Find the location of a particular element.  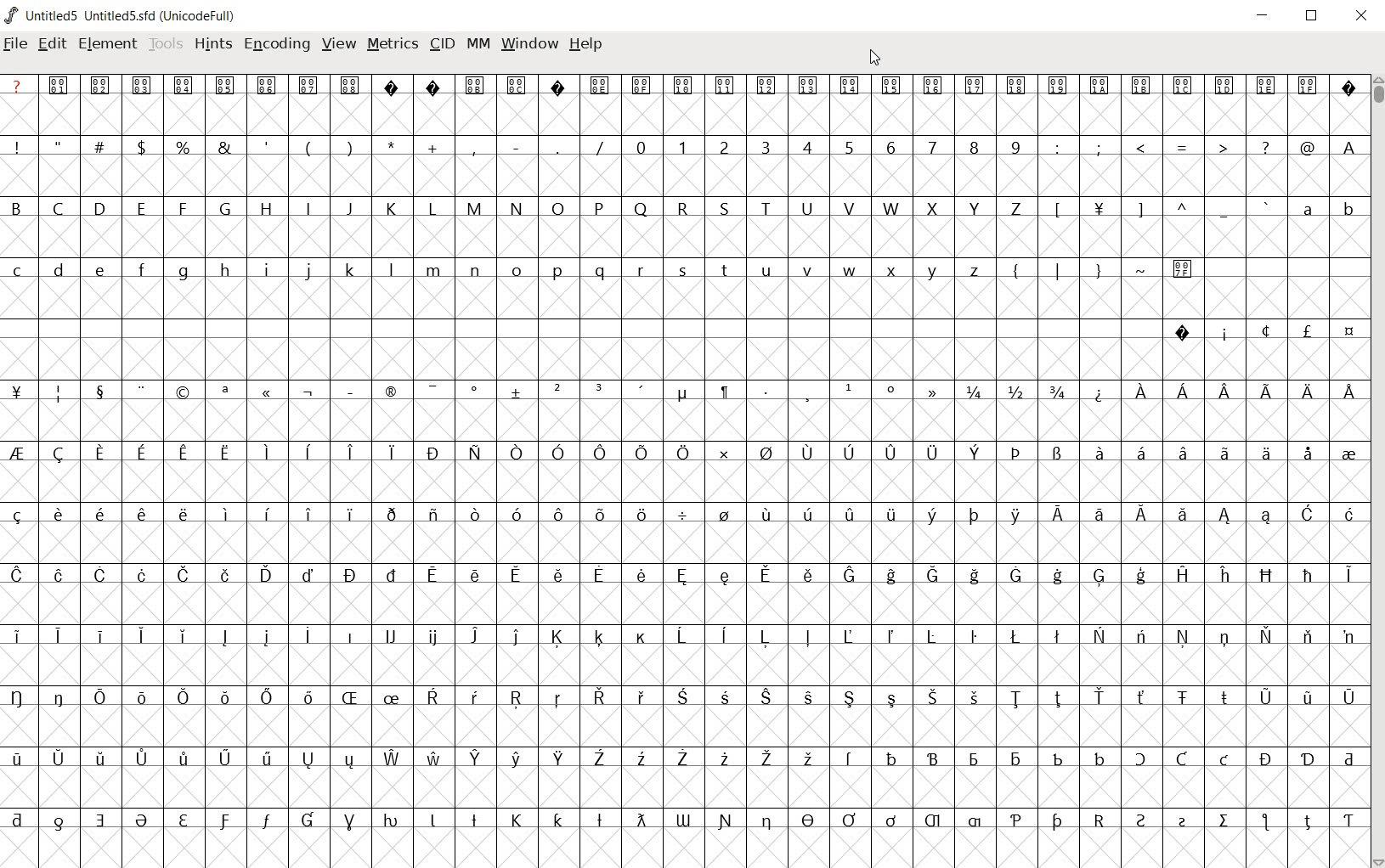

Symbol is located at coordinates (1349, 576).